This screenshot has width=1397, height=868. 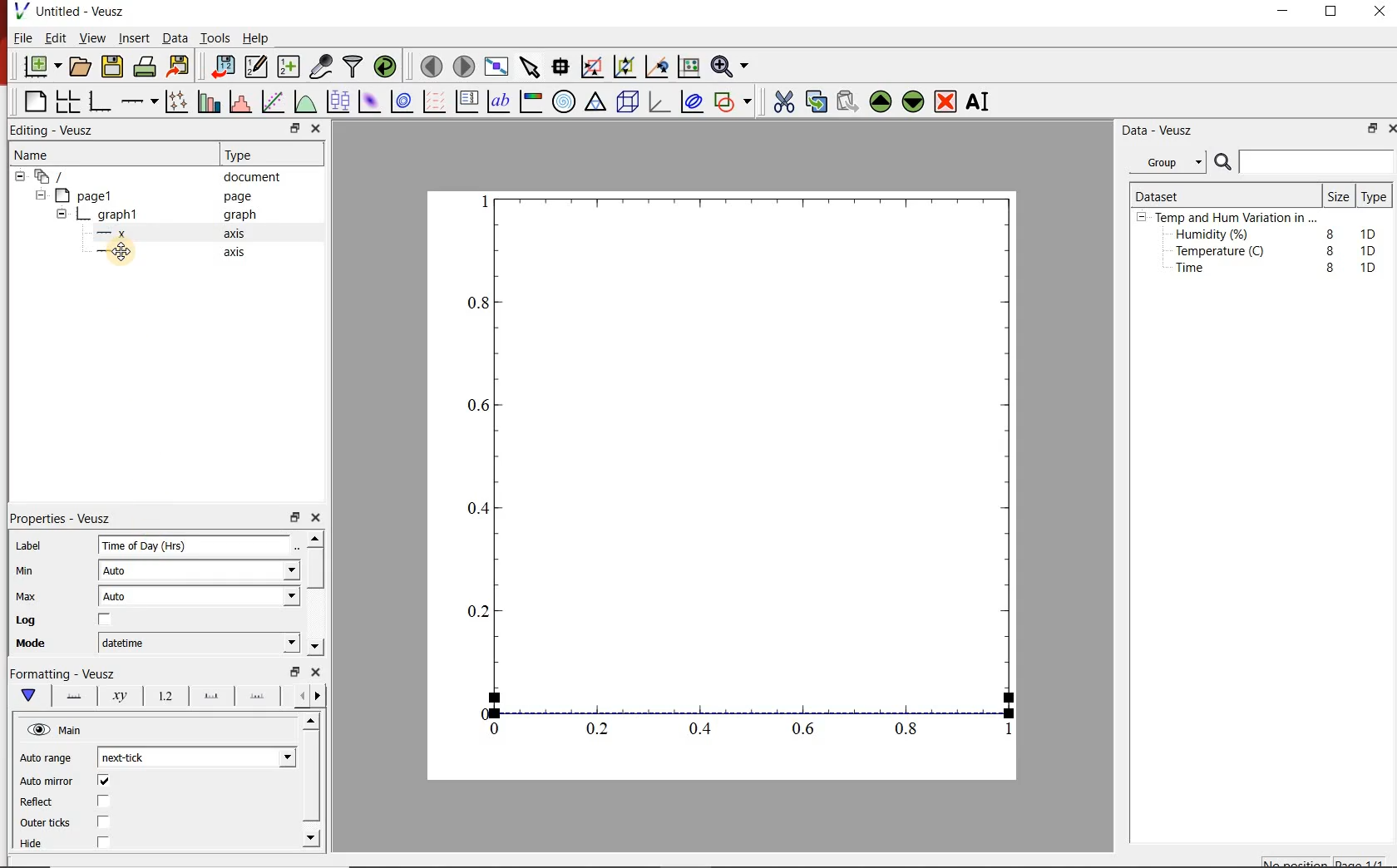 I want to click on page1/1, so click(x=1365, y=861).